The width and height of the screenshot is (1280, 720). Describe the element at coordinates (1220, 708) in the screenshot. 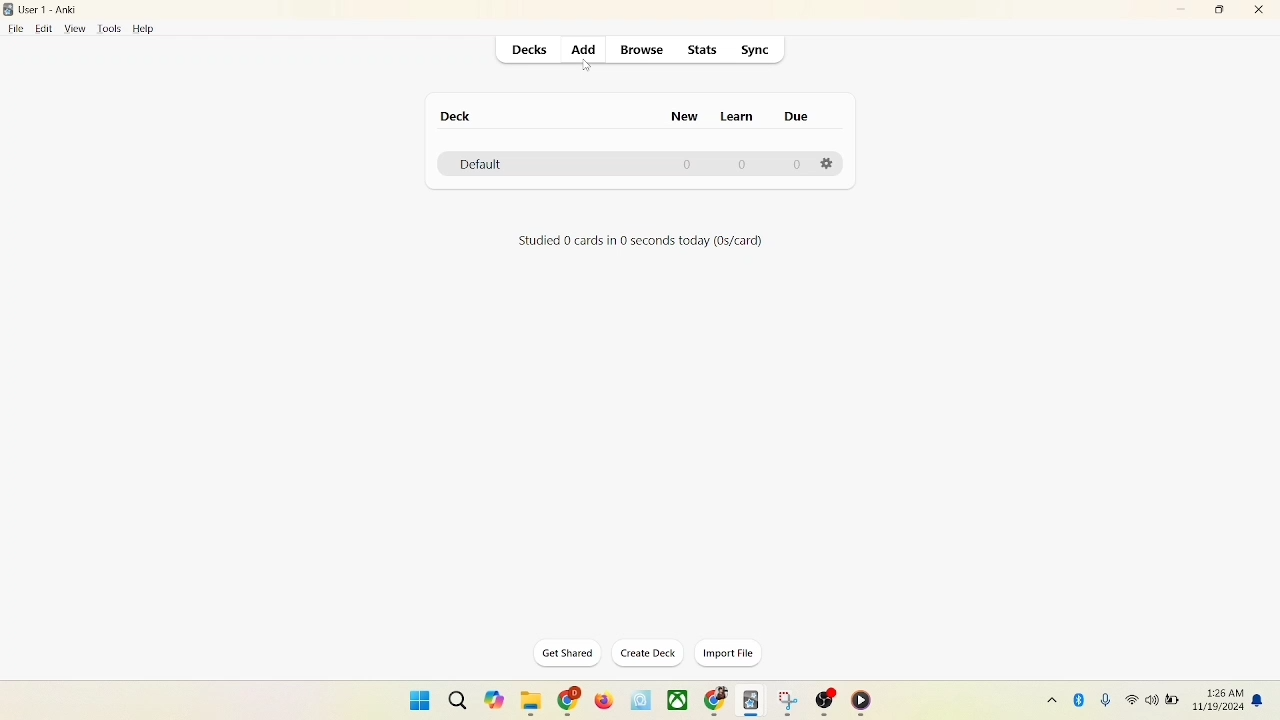

I see `date` at that location.